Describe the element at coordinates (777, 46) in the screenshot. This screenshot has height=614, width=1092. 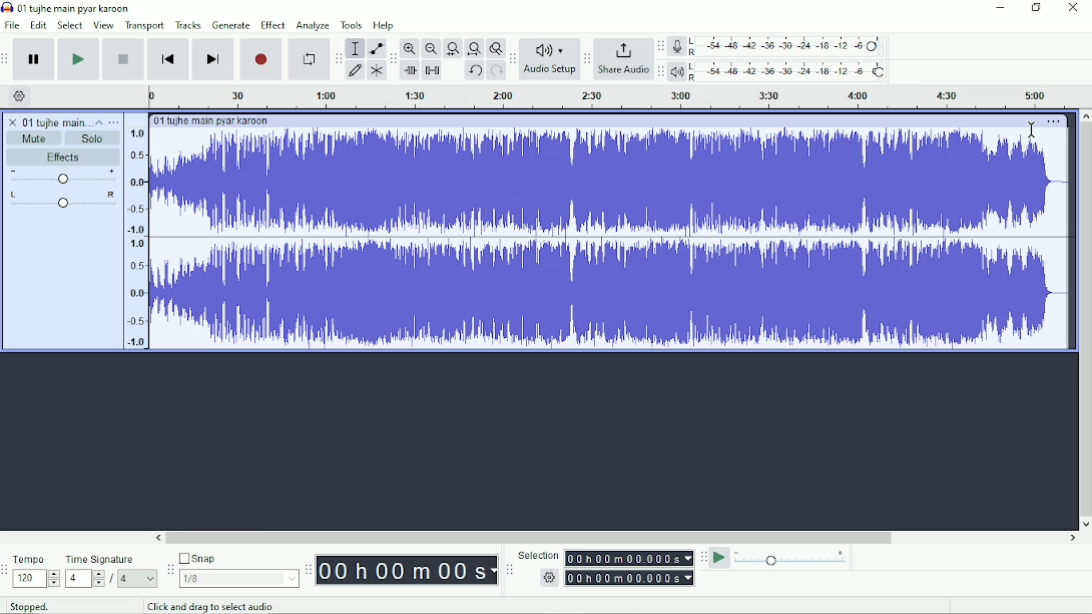
I see `Record meter` at that location.